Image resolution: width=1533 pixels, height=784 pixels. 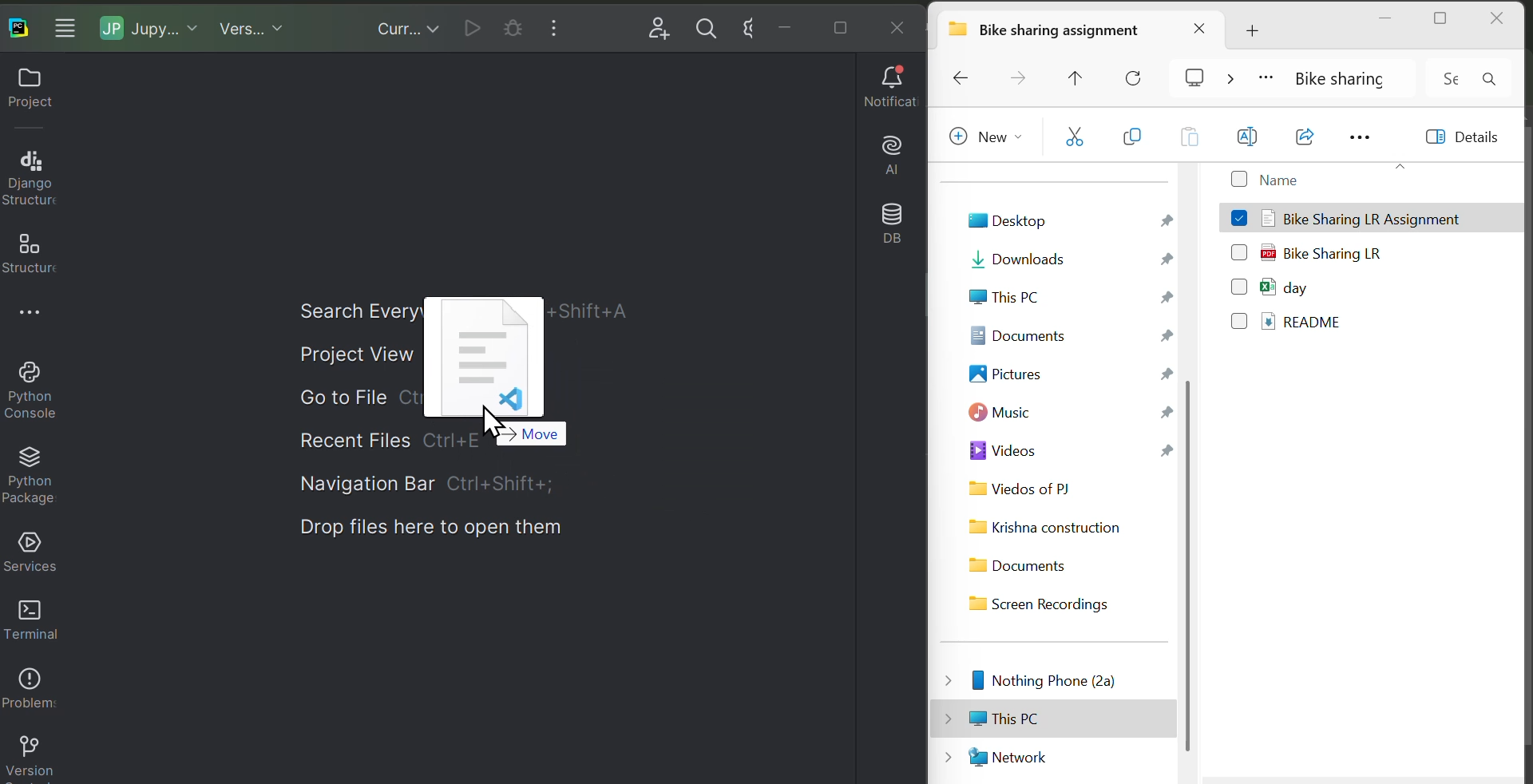 I want to click on Screen Recordings, so click(x=1051, y=603).